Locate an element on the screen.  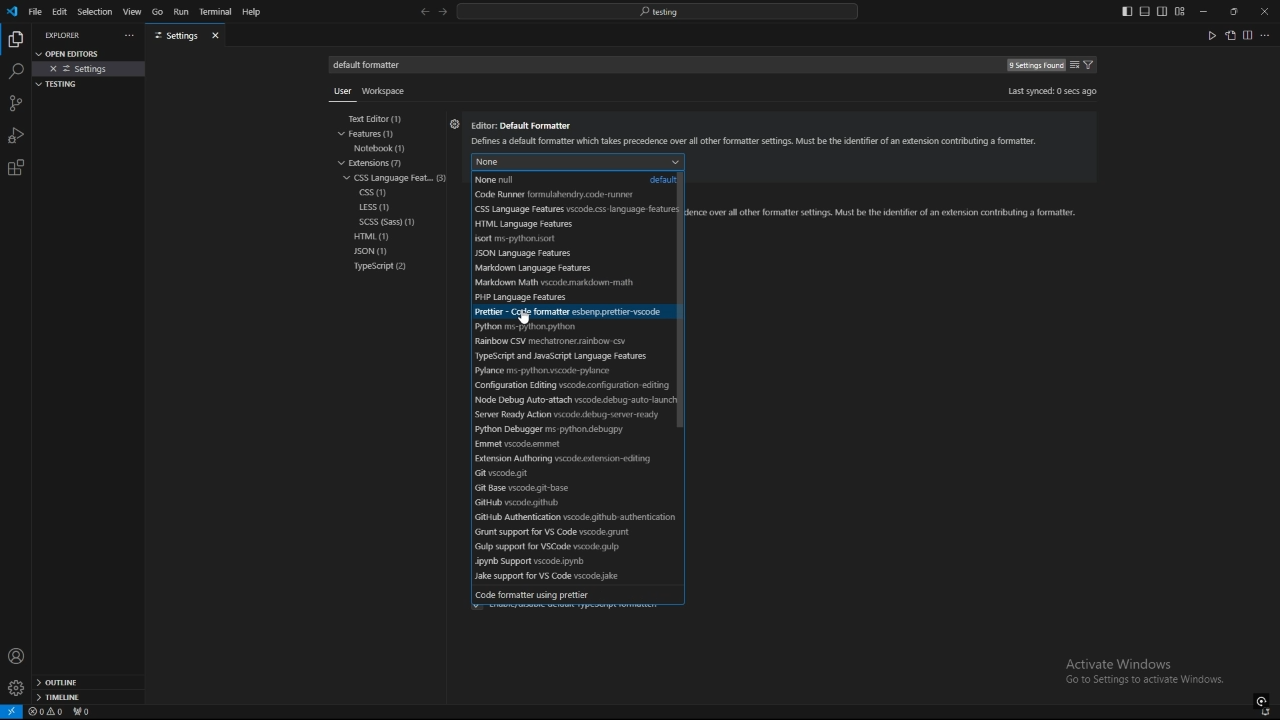
markdown math is located at coordinates (559, 284).